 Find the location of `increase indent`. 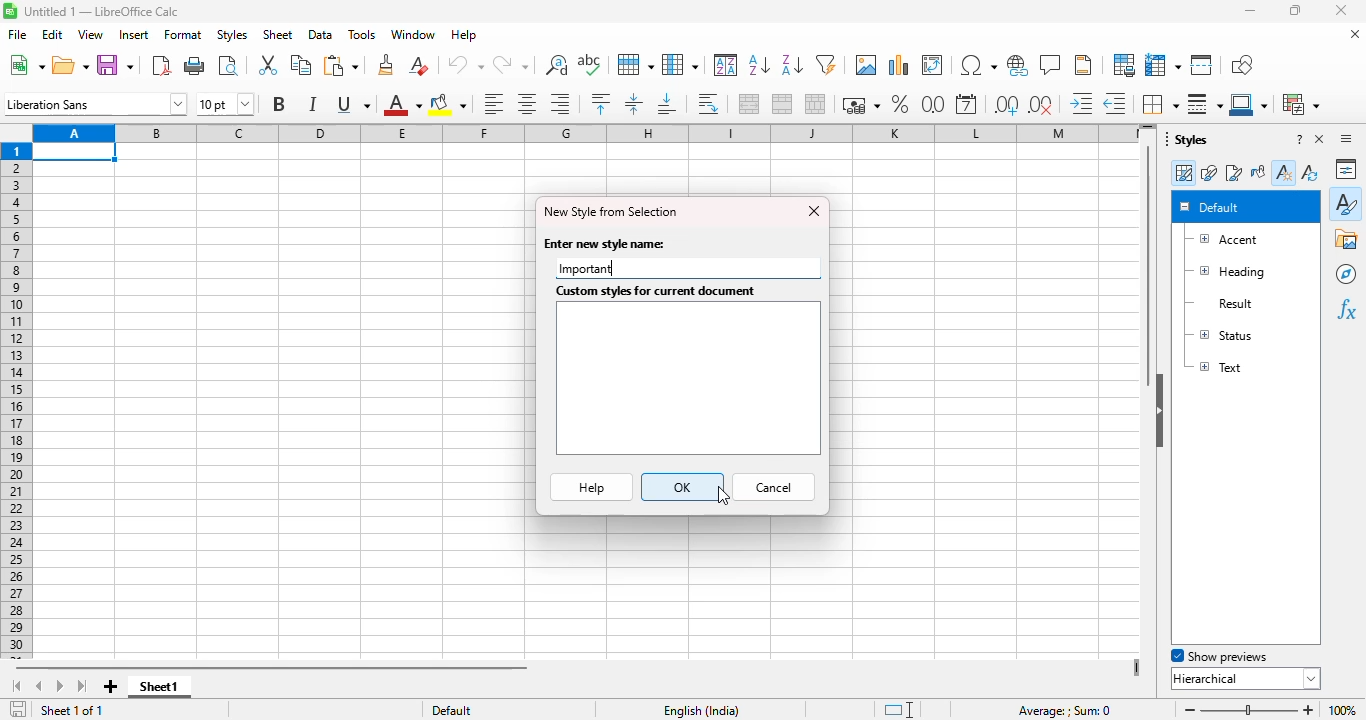

increase indent is located at coordinates (1080, 103).